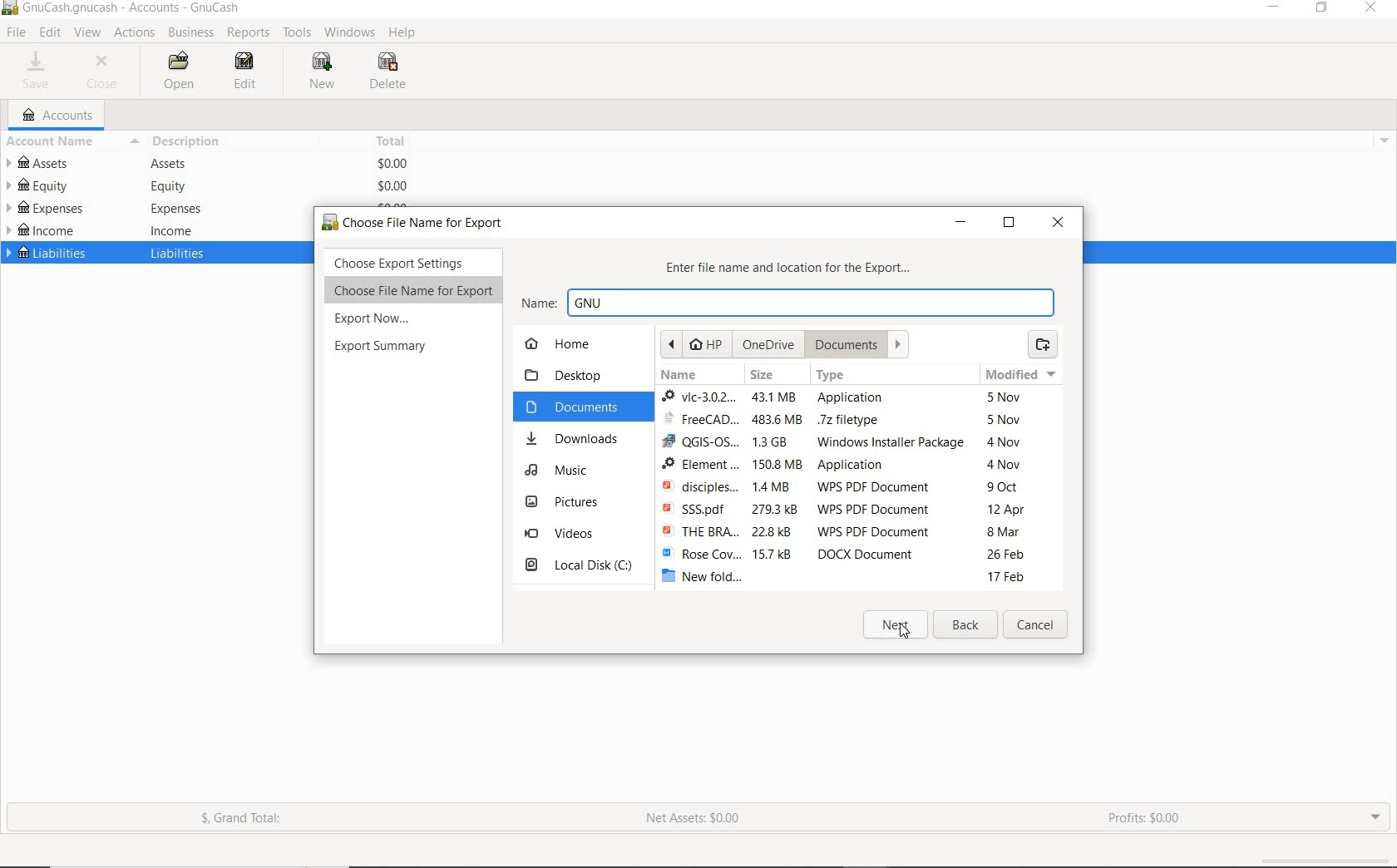  What do you see at coordinates (1023, 479) in the screenshot?
I see `modified` at bounding box center [1023, 479].